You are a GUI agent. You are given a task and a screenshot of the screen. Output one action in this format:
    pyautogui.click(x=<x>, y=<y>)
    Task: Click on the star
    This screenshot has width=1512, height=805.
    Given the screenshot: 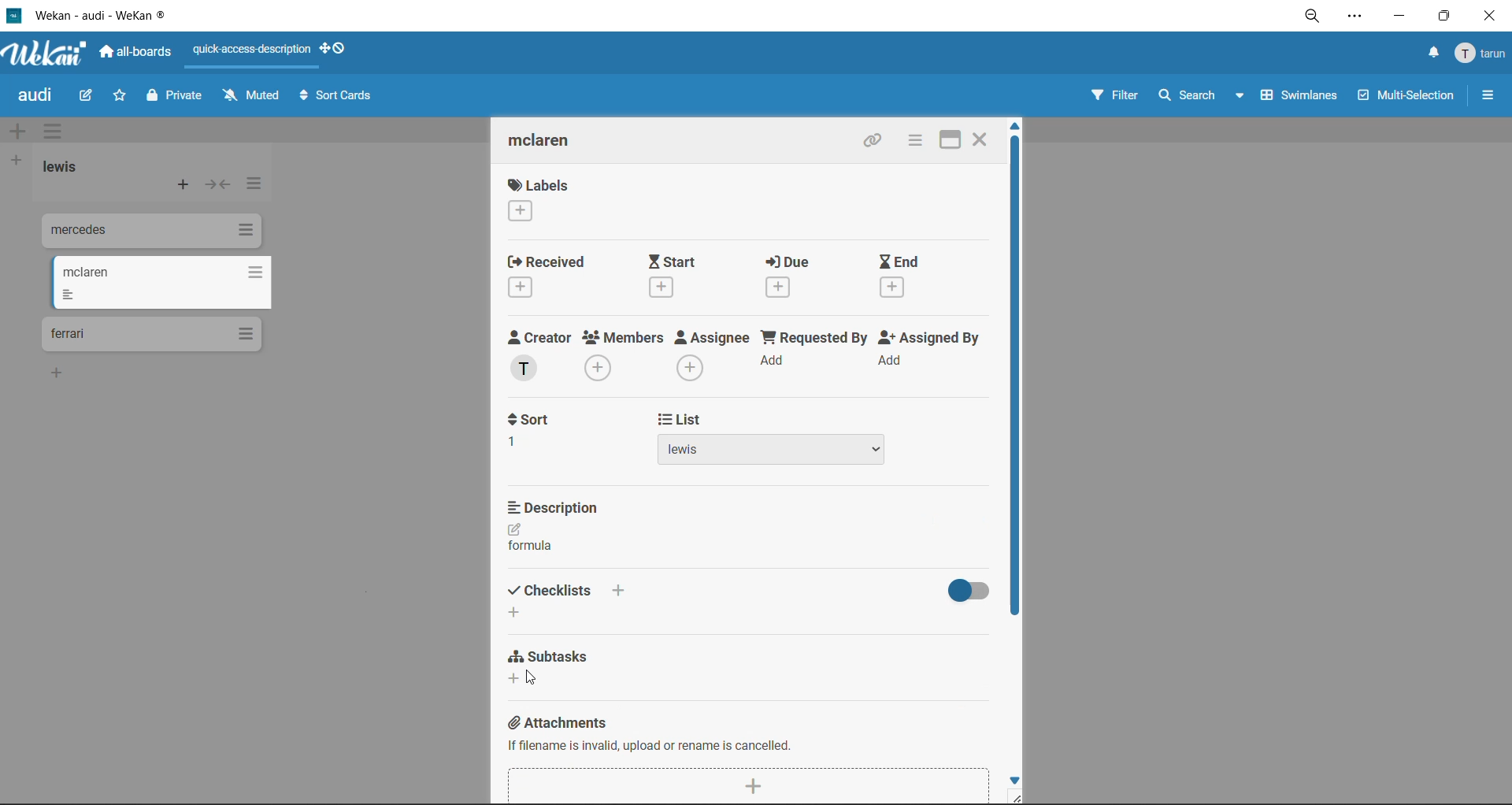 What is the action you would take?
    pyautogui.click(x=117, y=97)
    